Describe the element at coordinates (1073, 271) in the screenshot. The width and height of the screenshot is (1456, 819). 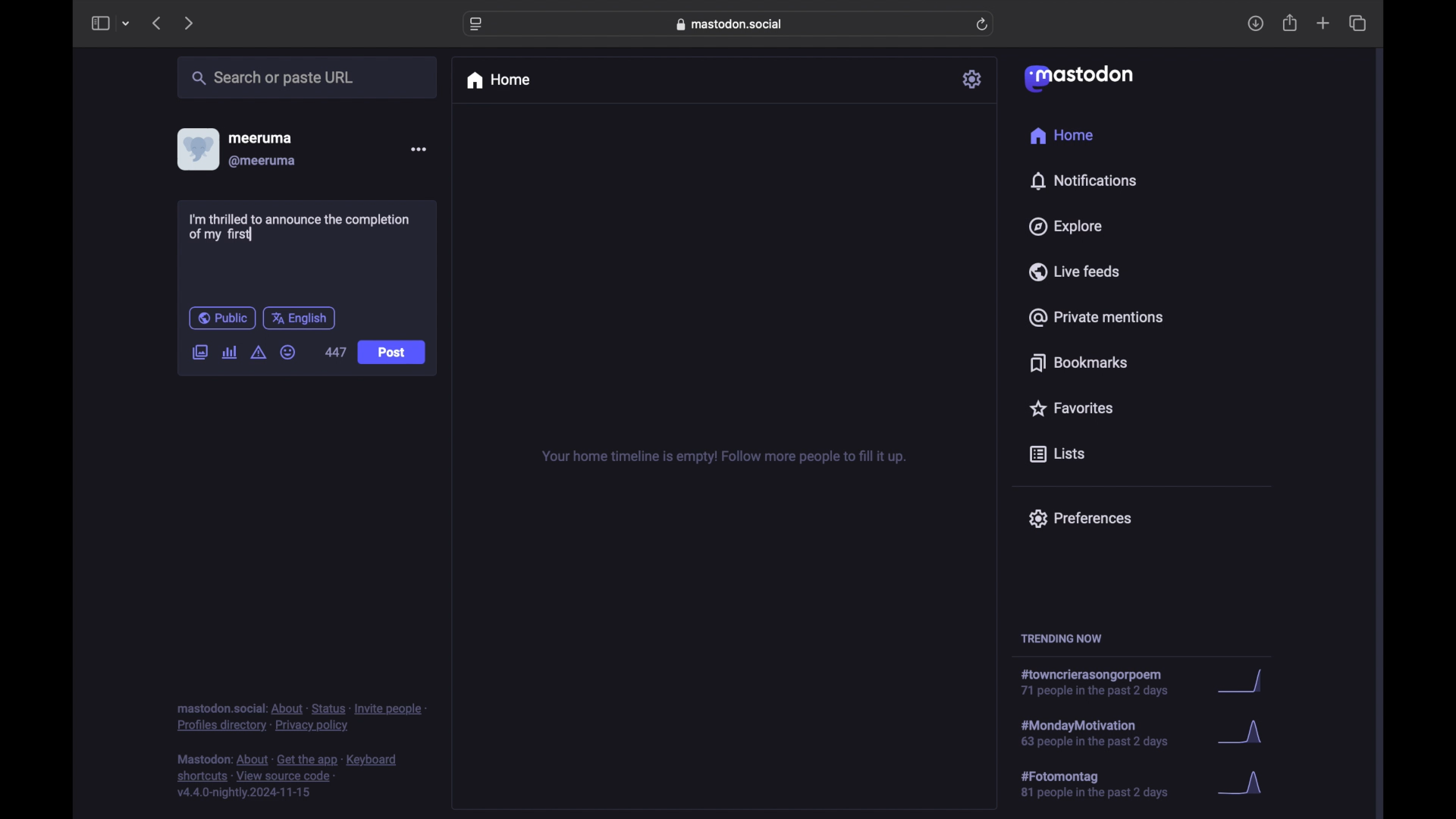
I see `live feeds` at that location.